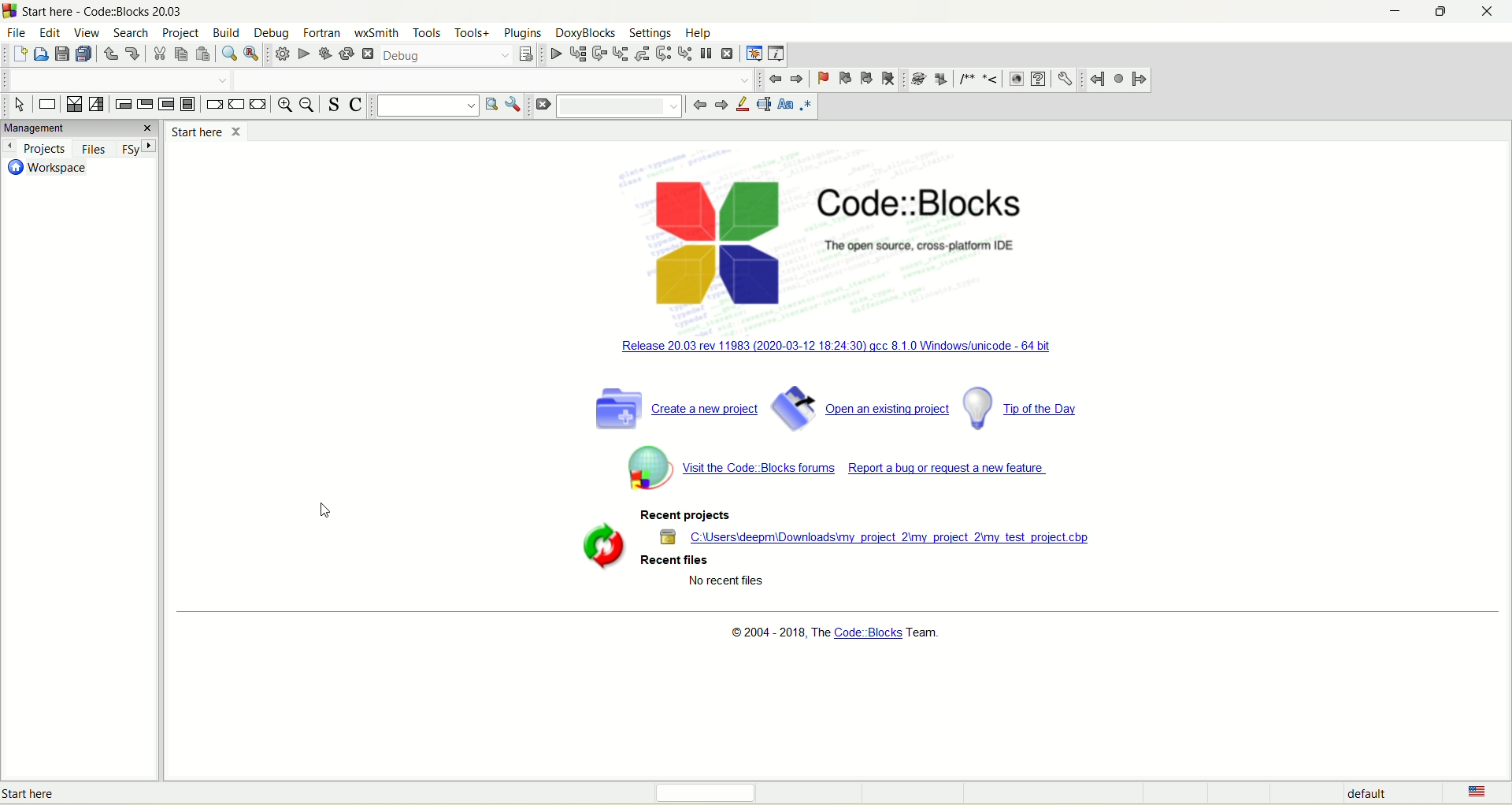  I want to click on extract documentation, so click(943, 80).